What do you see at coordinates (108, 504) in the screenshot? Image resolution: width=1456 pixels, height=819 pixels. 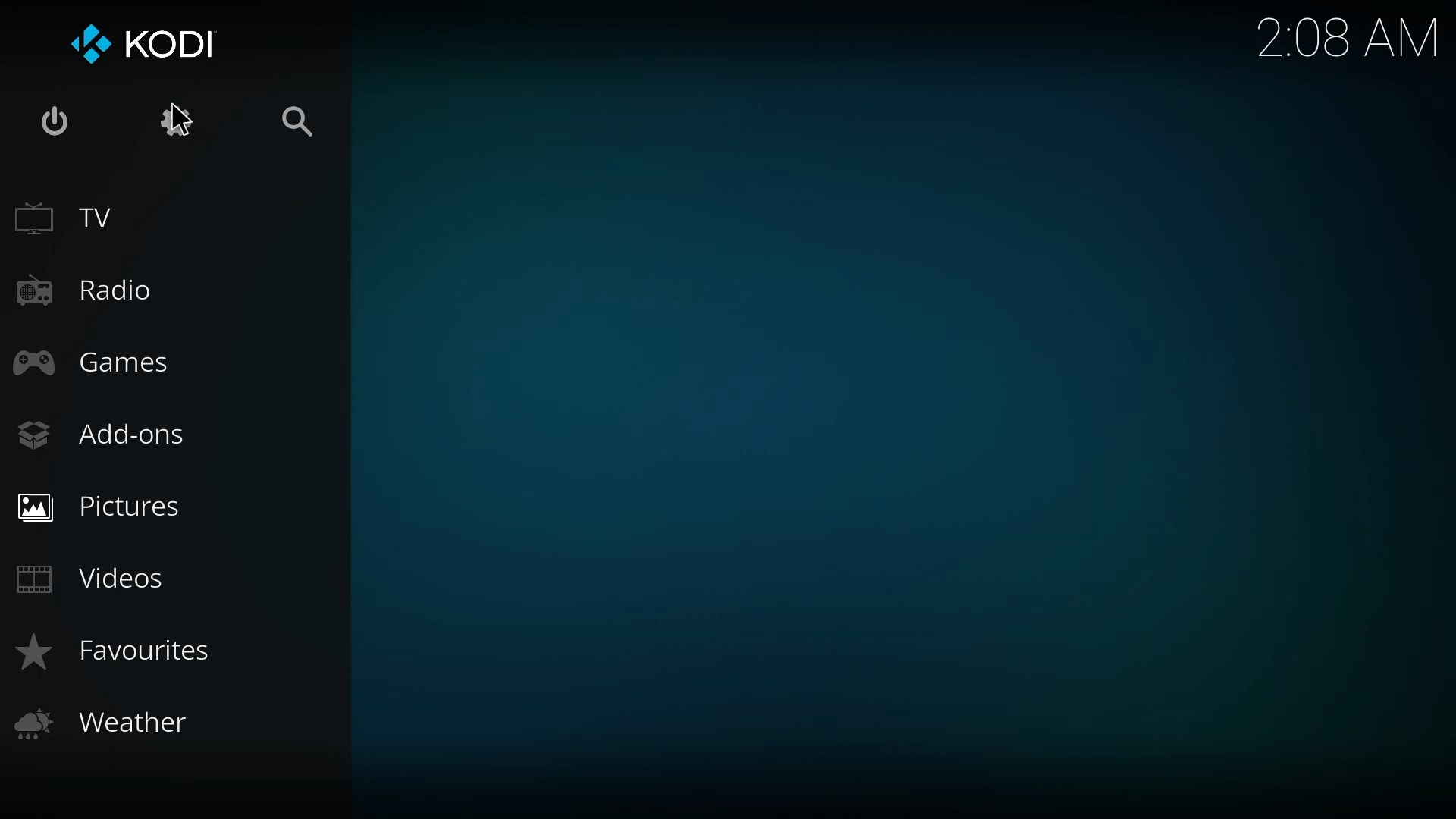 I see `pictures` at bounding box center [108, 504].